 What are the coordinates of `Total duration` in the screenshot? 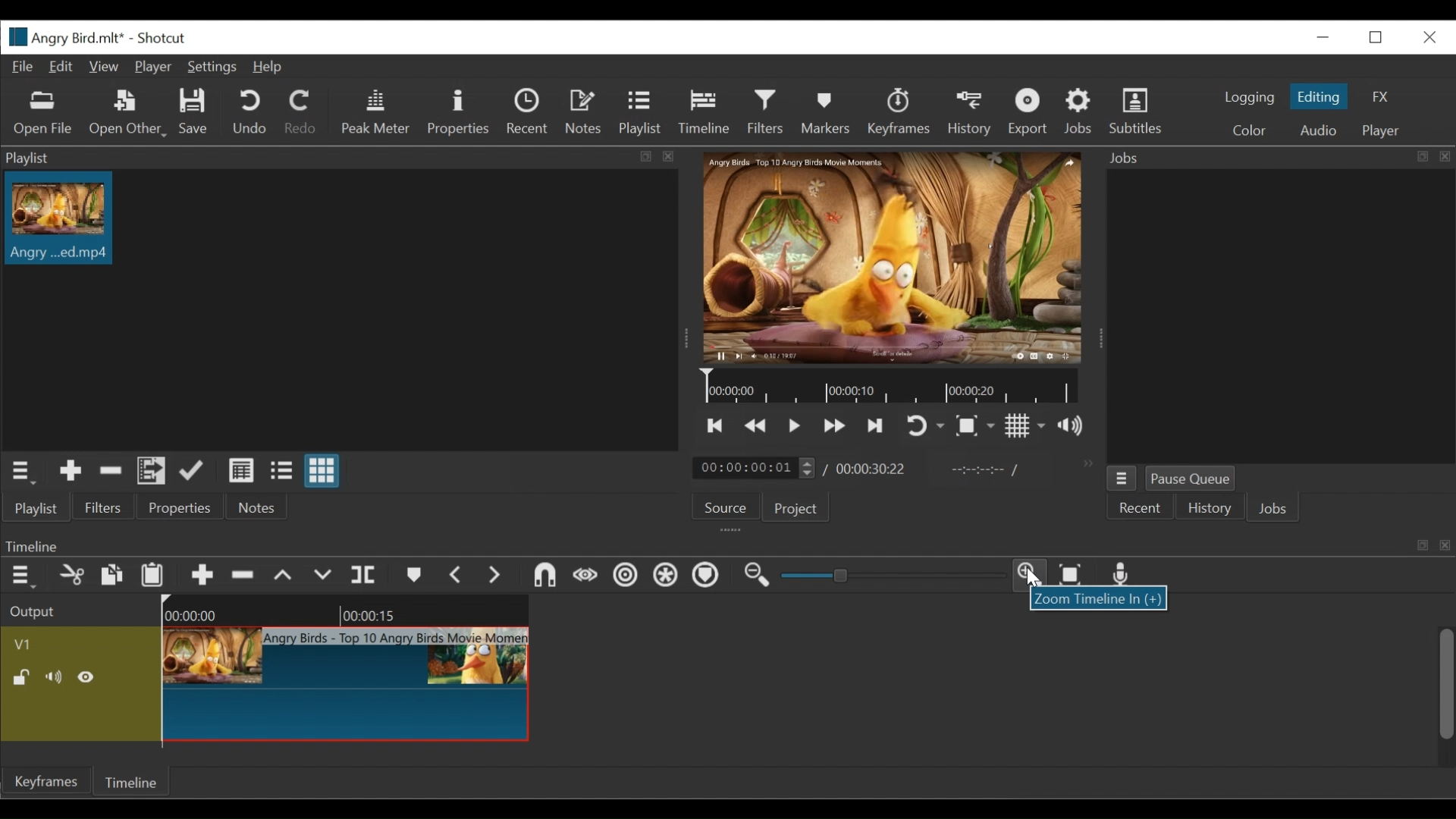 It's located at (877, 469).